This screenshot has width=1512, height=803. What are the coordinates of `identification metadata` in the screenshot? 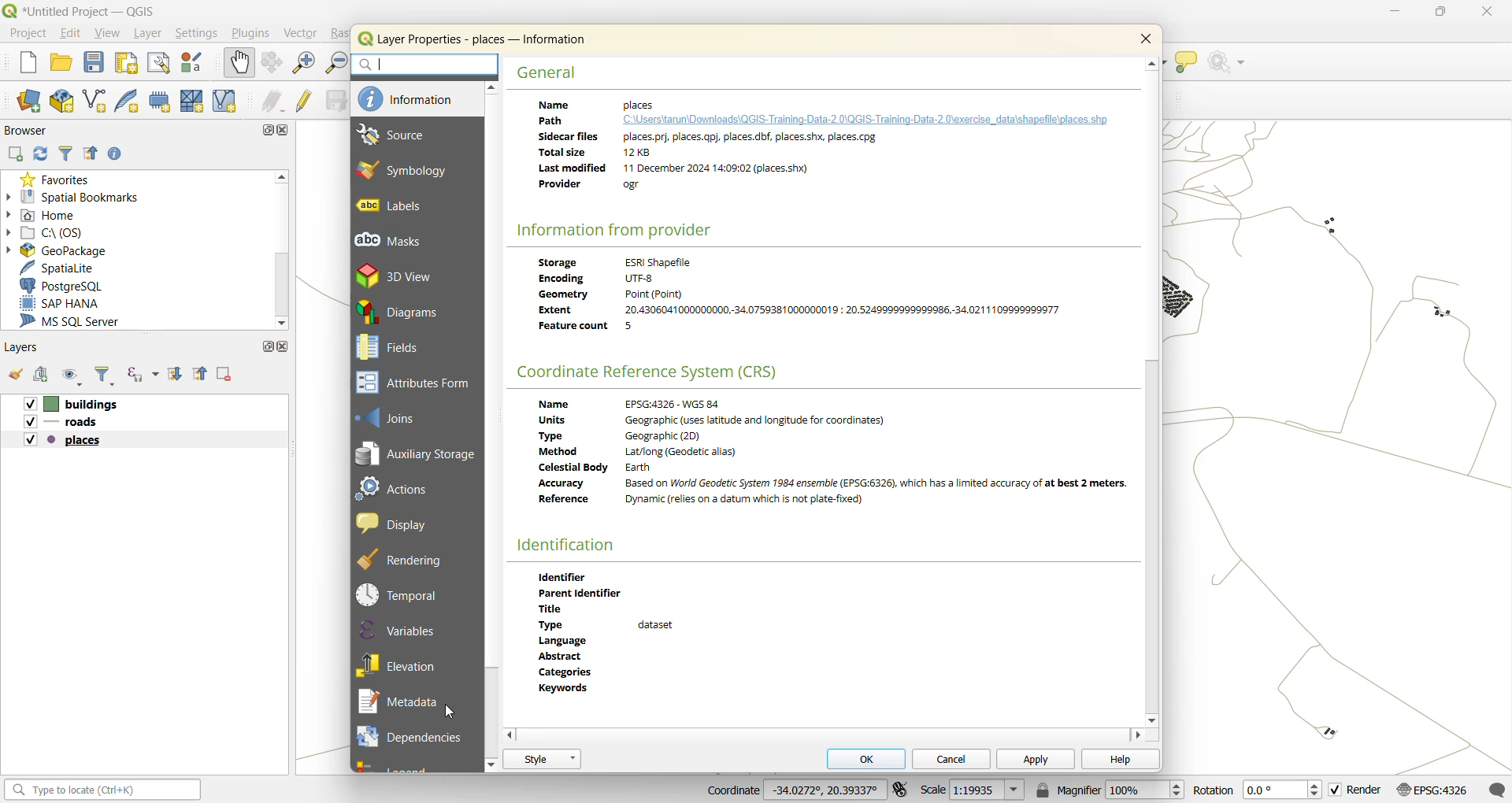 It's located at (620, 628).